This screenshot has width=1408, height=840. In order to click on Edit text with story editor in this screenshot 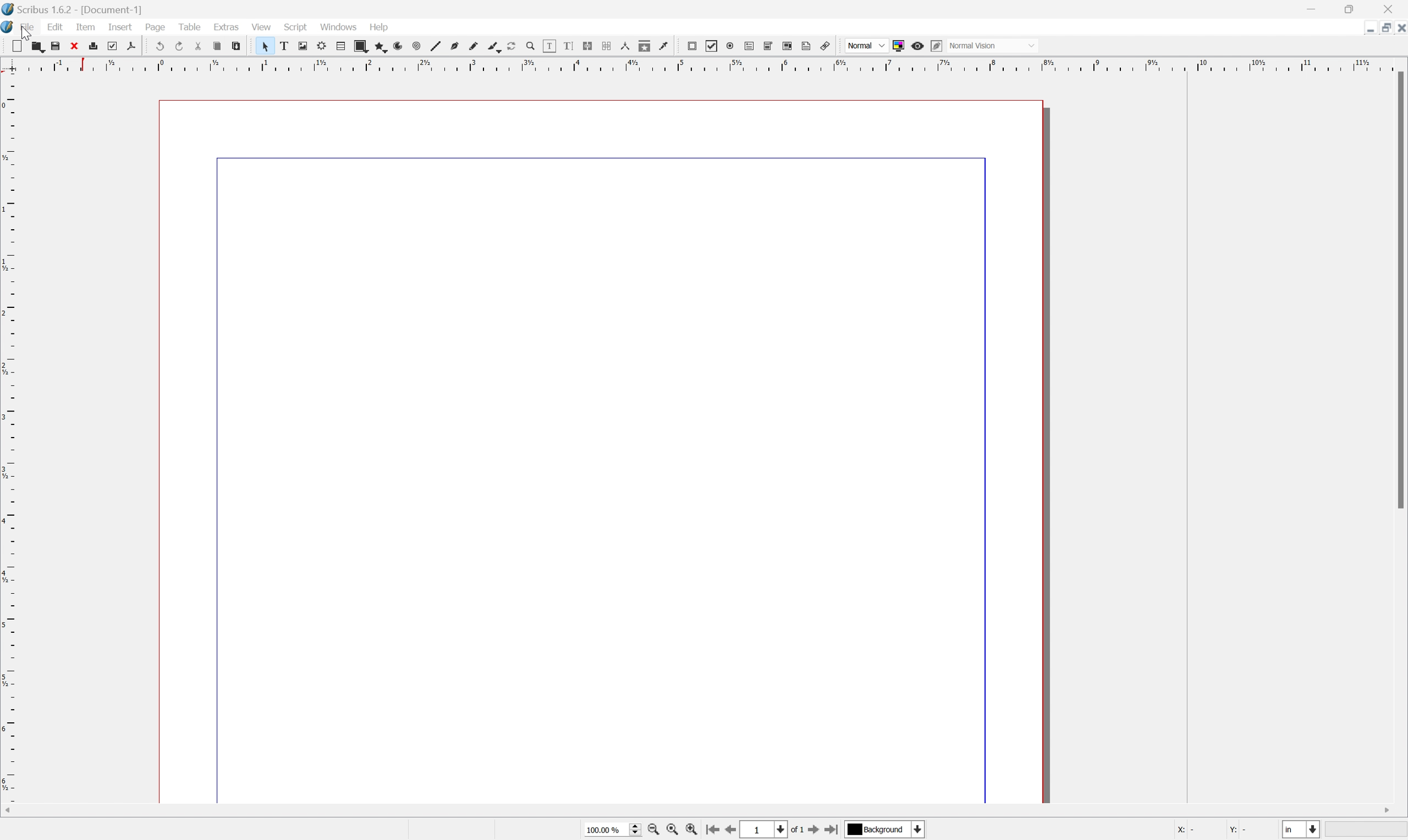, I will do `click(570, 46)`.